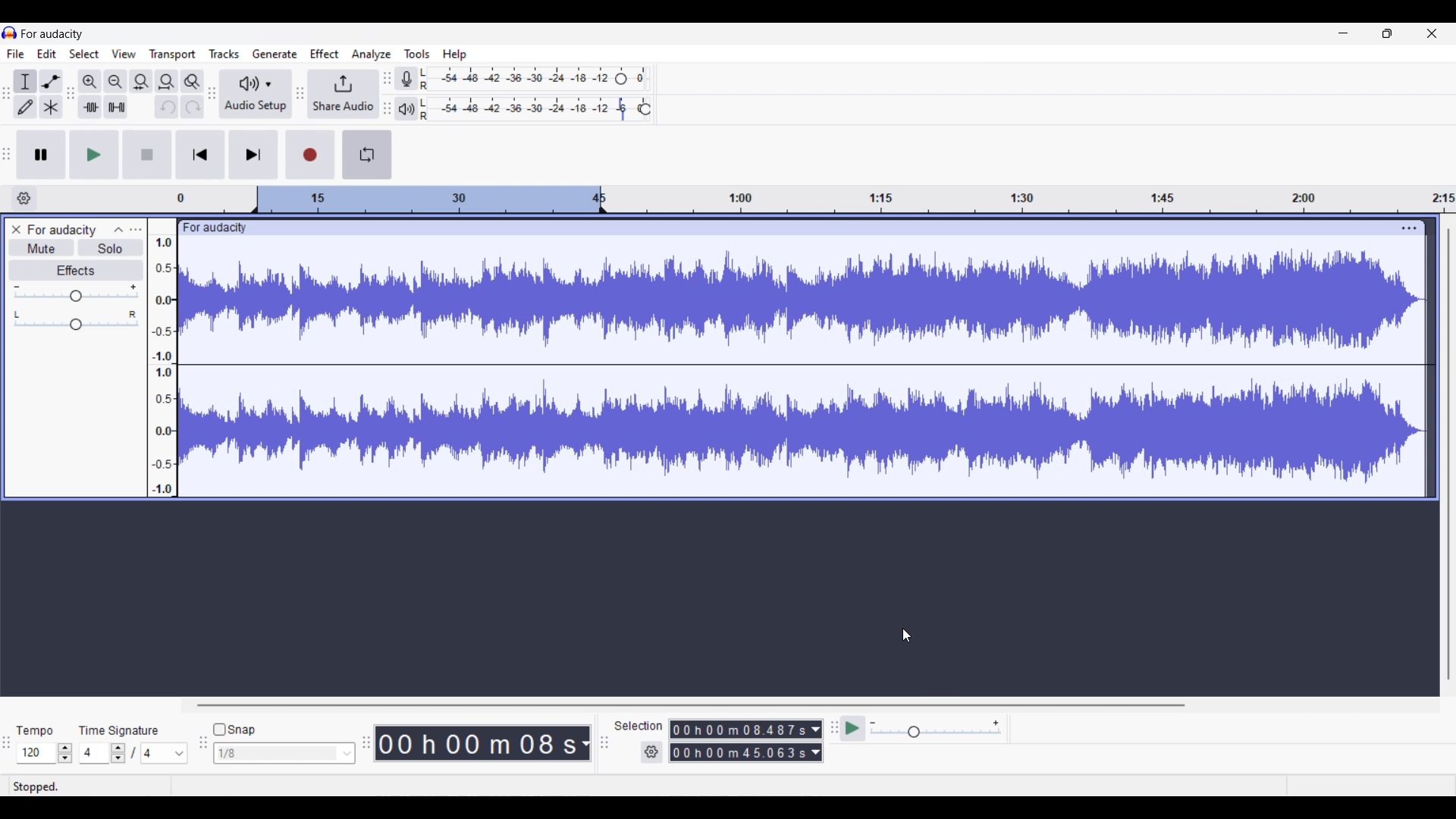 This screenshot has height=819, width=1456. What do you see at coordinates (119, 230) in the screenshot?
I see `Collapse` at bounding box center [119, 230].